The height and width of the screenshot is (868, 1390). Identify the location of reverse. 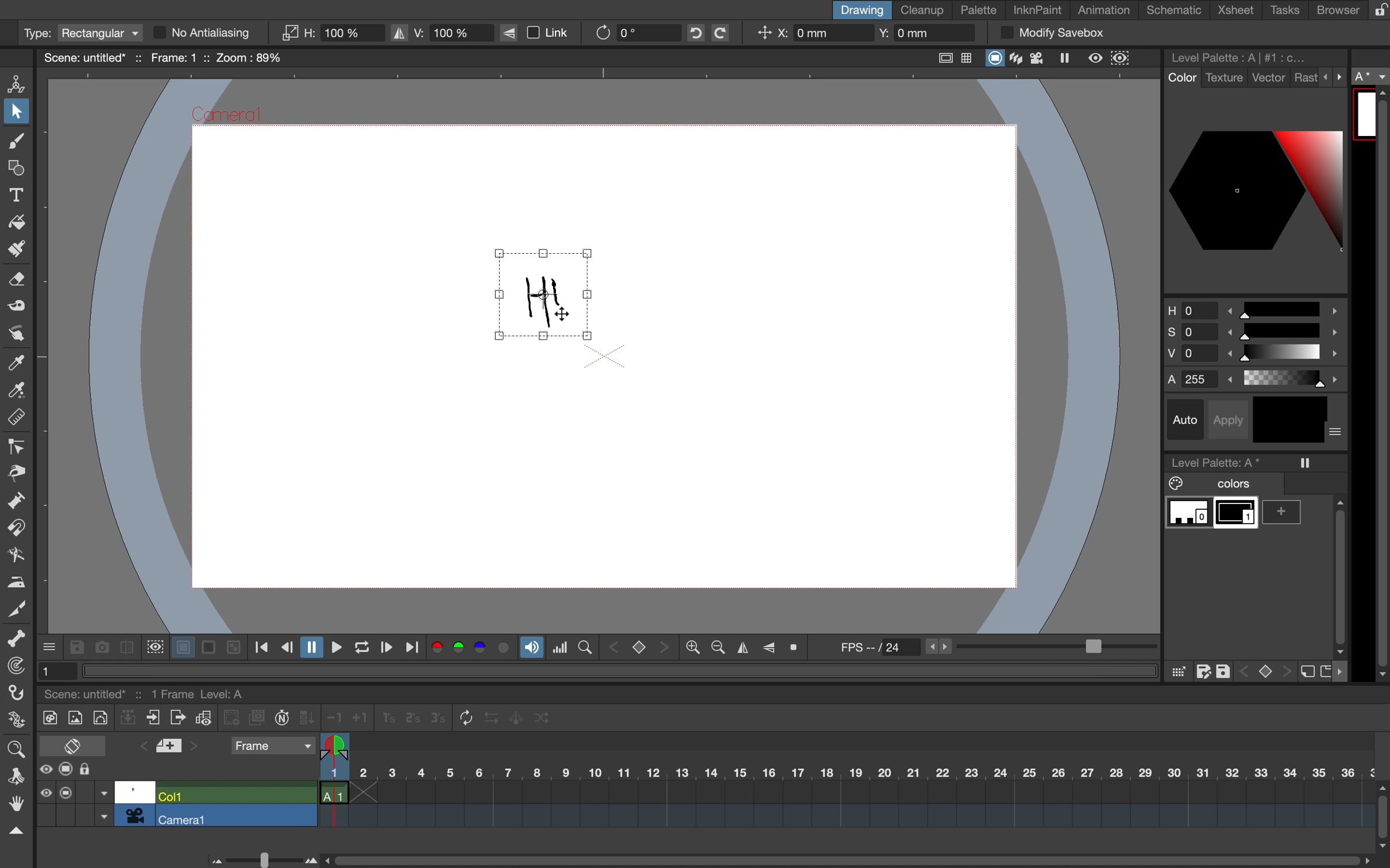
(491, 718).